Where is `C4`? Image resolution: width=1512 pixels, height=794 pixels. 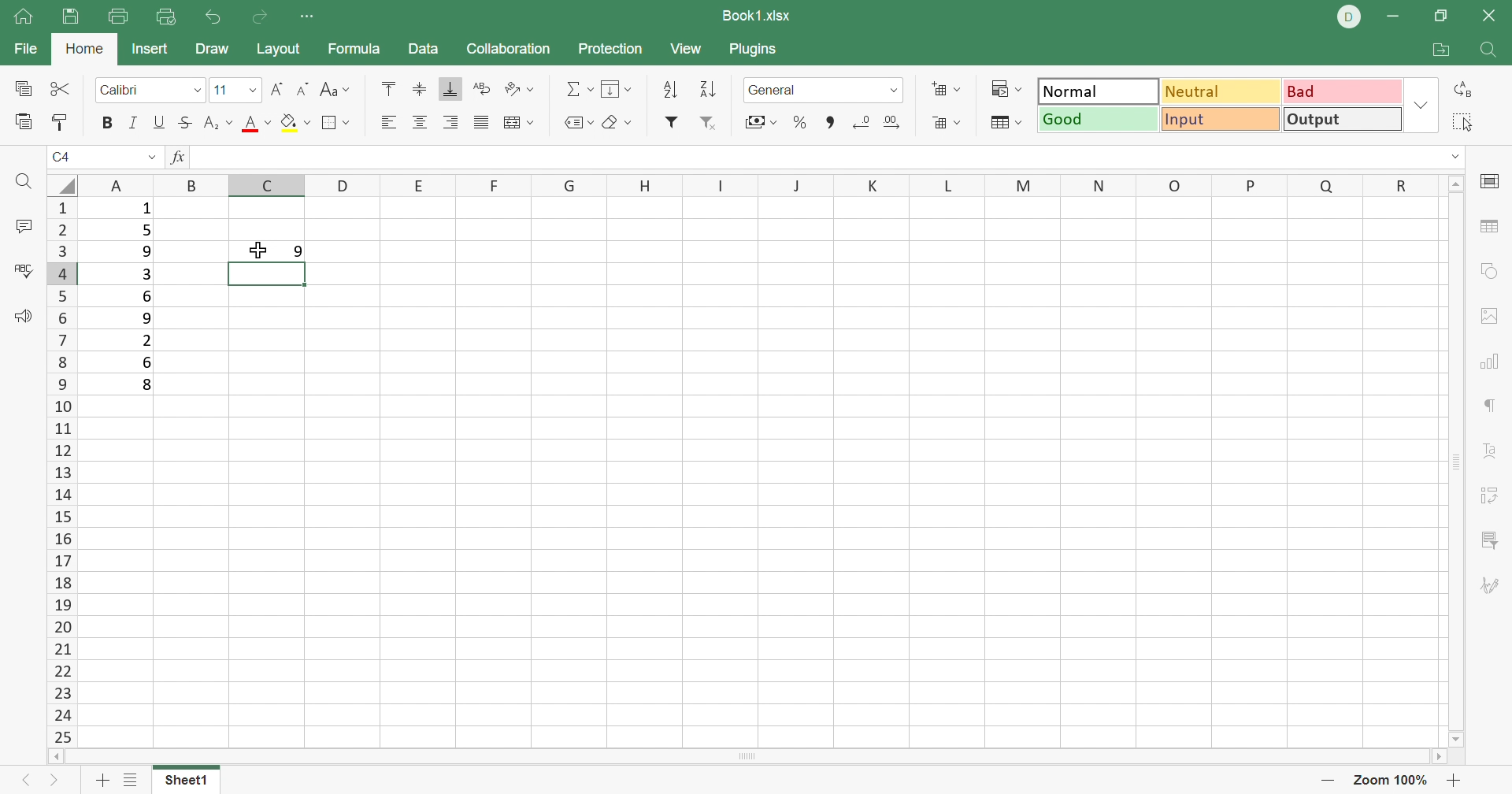 C4 is located at coordinates (68, 158).